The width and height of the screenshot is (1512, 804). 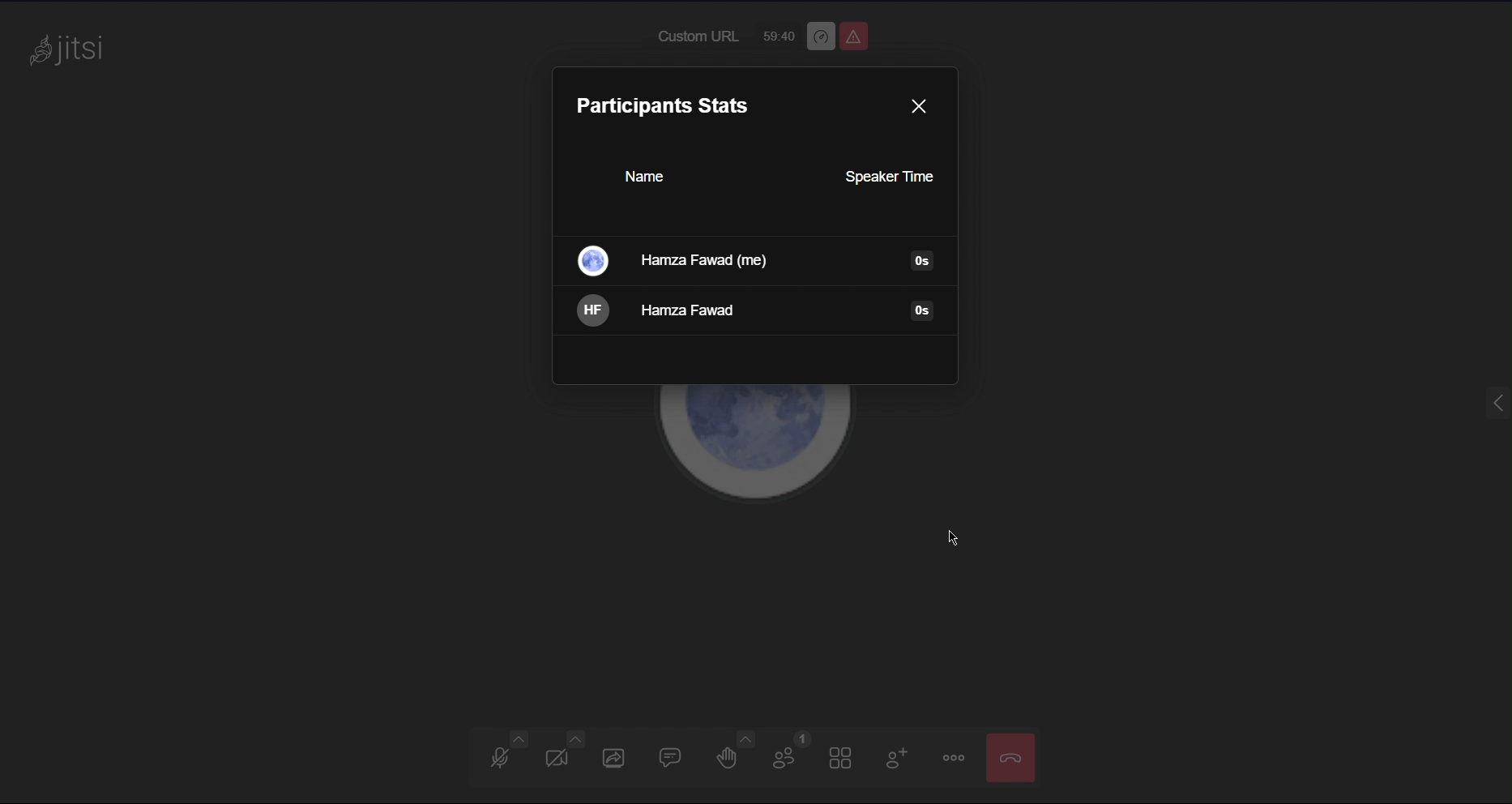 I want to click on Tile View, so click(x=845, y=755).